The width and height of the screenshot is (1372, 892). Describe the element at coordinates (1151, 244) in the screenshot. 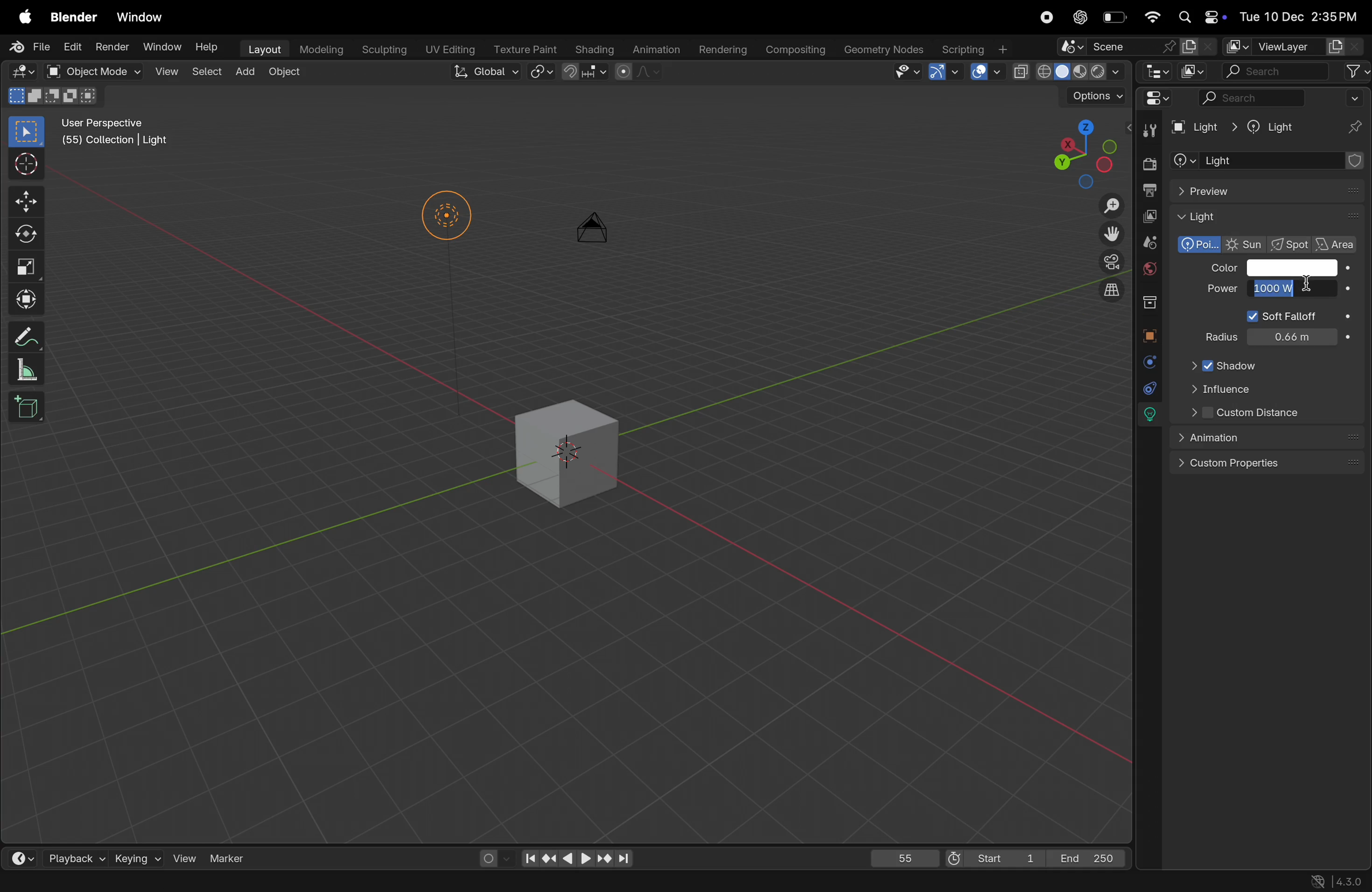

I see `scene` at that location.